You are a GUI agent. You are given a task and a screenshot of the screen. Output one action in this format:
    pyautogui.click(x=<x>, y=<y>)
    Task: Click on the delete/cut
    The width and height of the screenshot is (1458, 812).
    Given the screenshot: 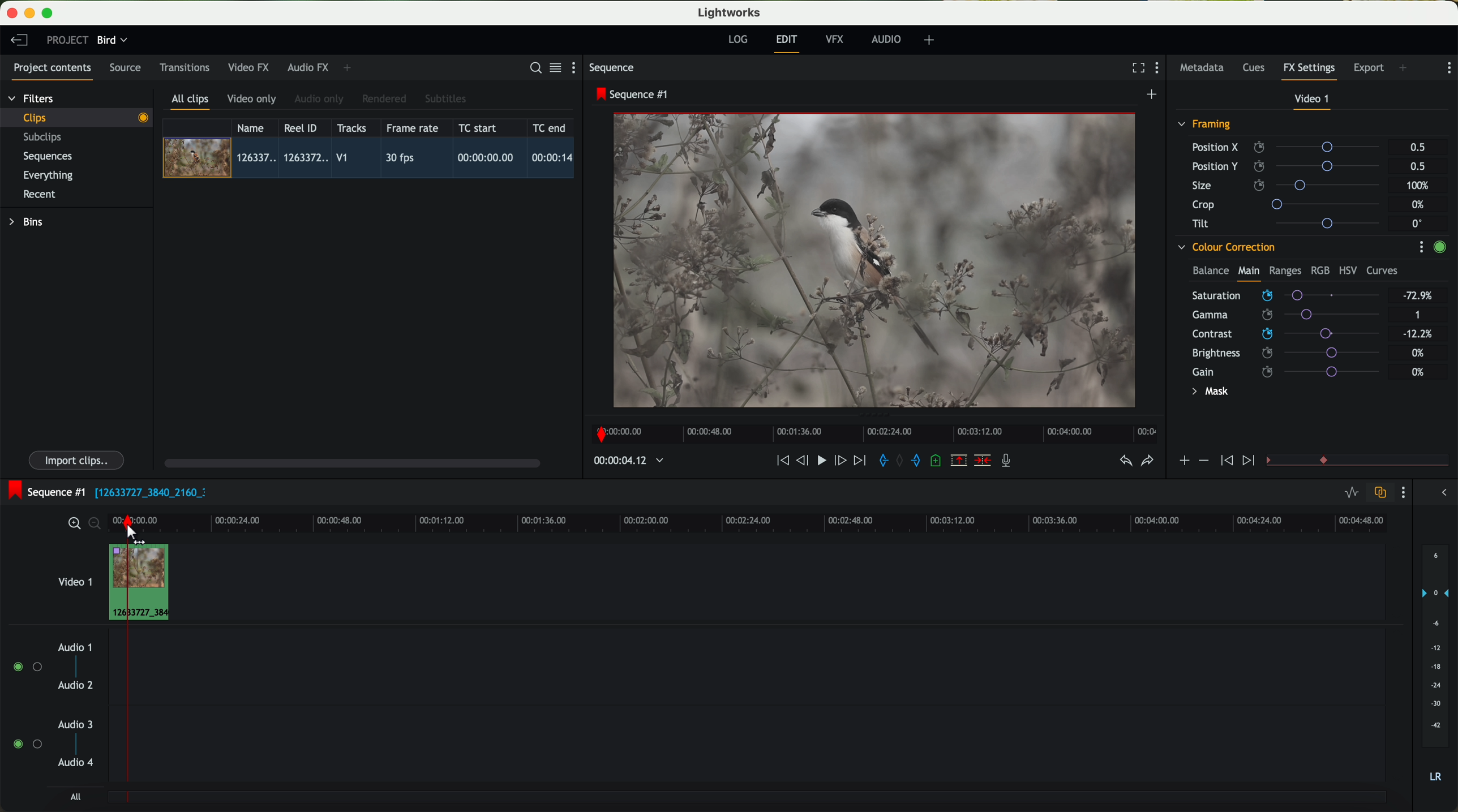 What is the action you would take?
    pyautogui.click(x=983, y=461)
    